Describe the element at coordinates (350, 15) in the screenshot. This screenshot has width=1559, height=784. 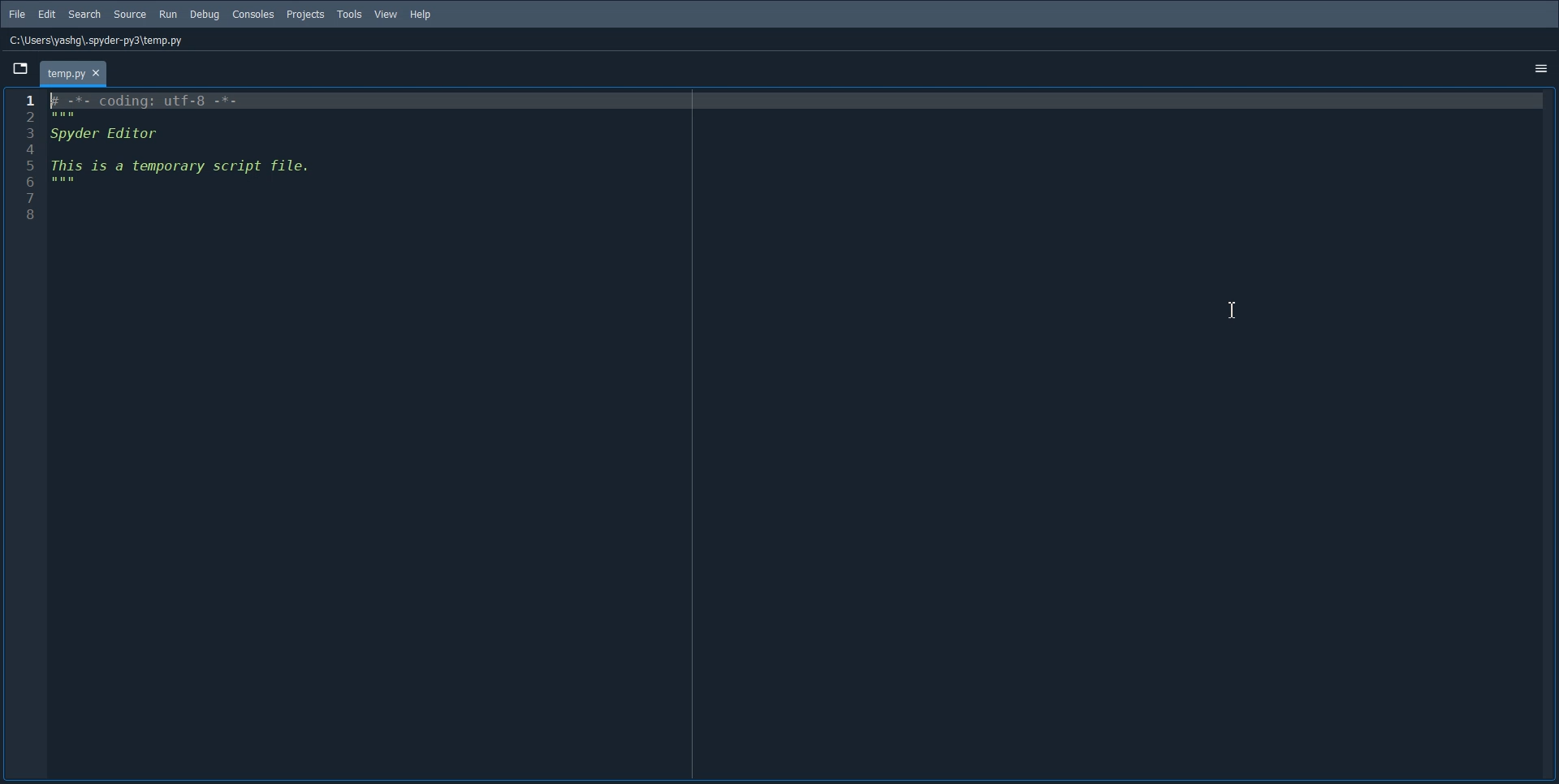
I see `Tools` at that location.